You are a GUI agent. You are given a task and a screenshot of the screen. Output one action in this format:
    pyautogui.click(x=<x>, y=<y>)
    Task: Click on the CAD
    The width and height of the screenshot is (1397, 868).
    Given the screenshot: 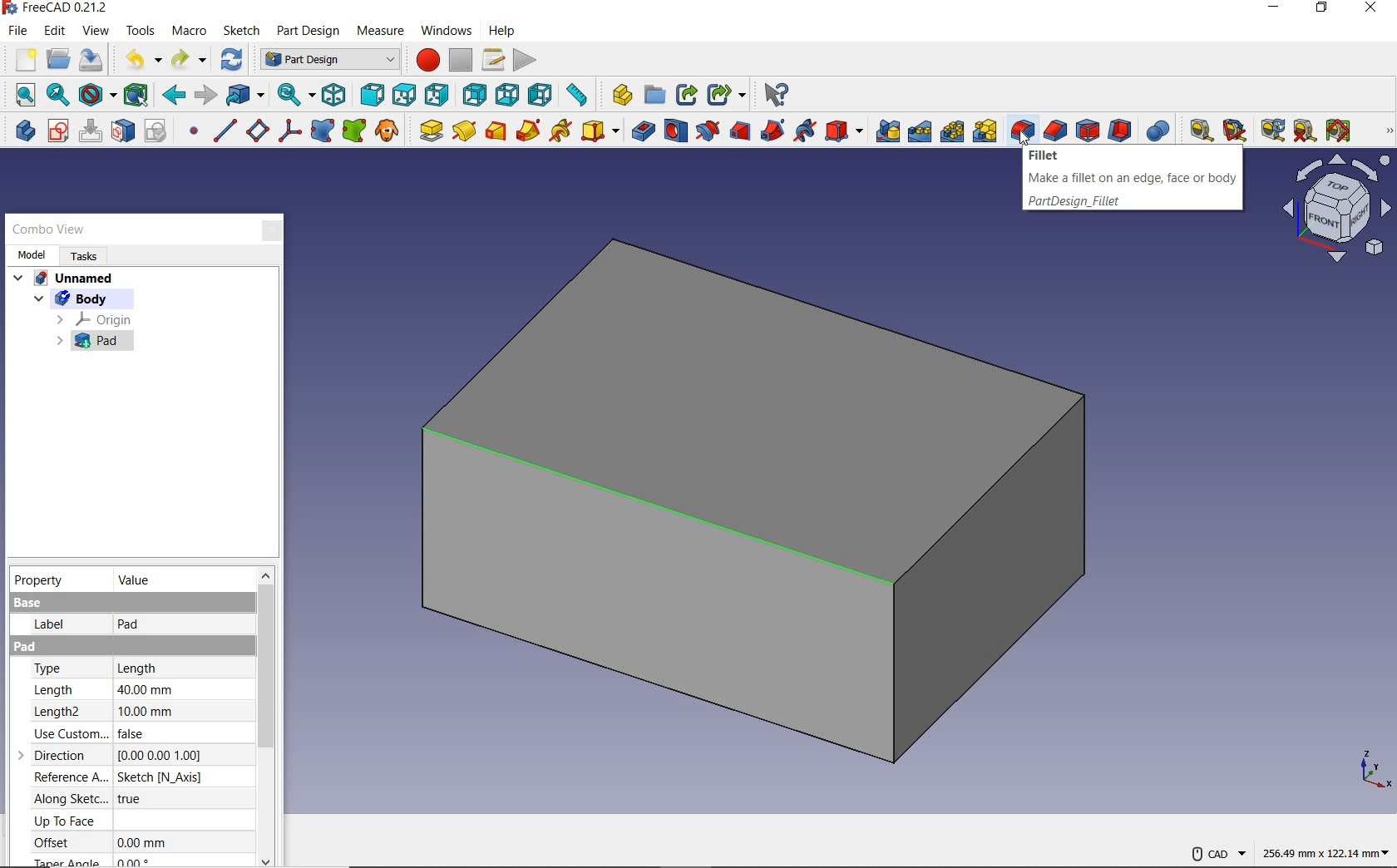 What is the action you would take?
    pyautogui.click(x=1217, y=854)
    